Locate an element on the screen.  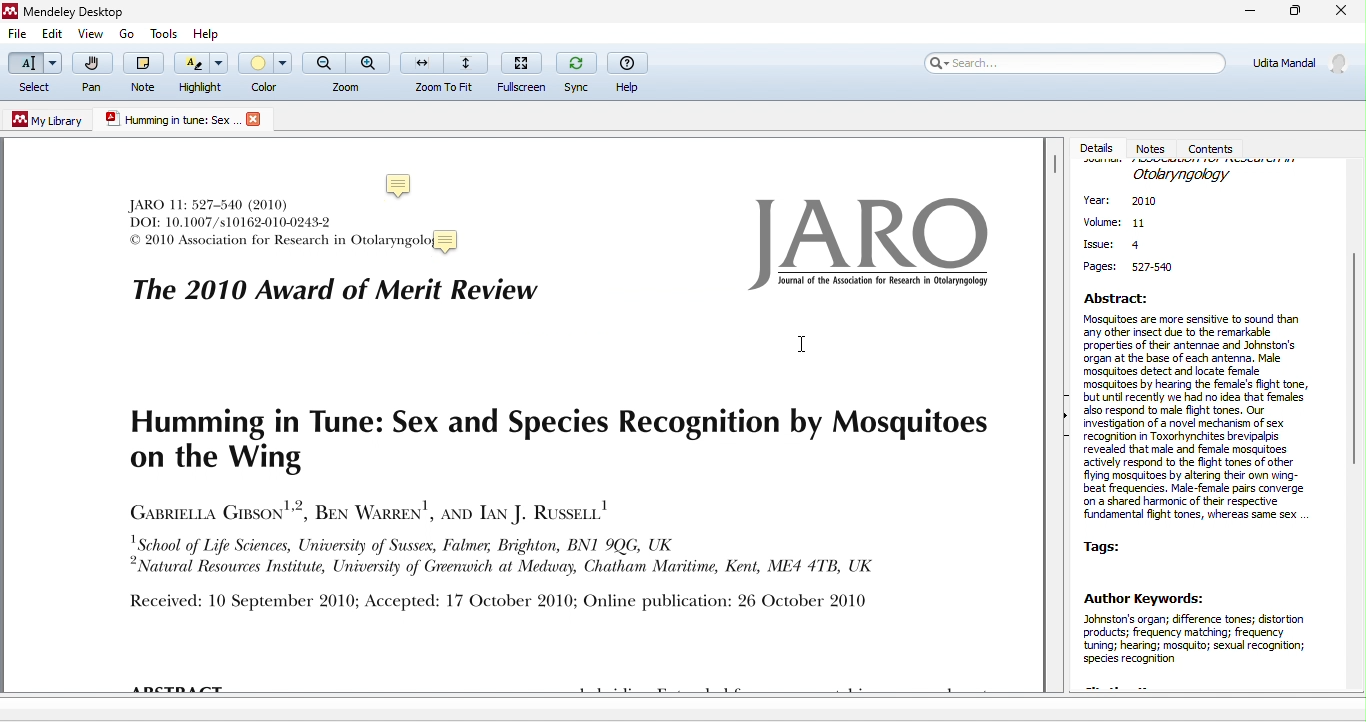
cursor movement is located at coordinates (796, 344).